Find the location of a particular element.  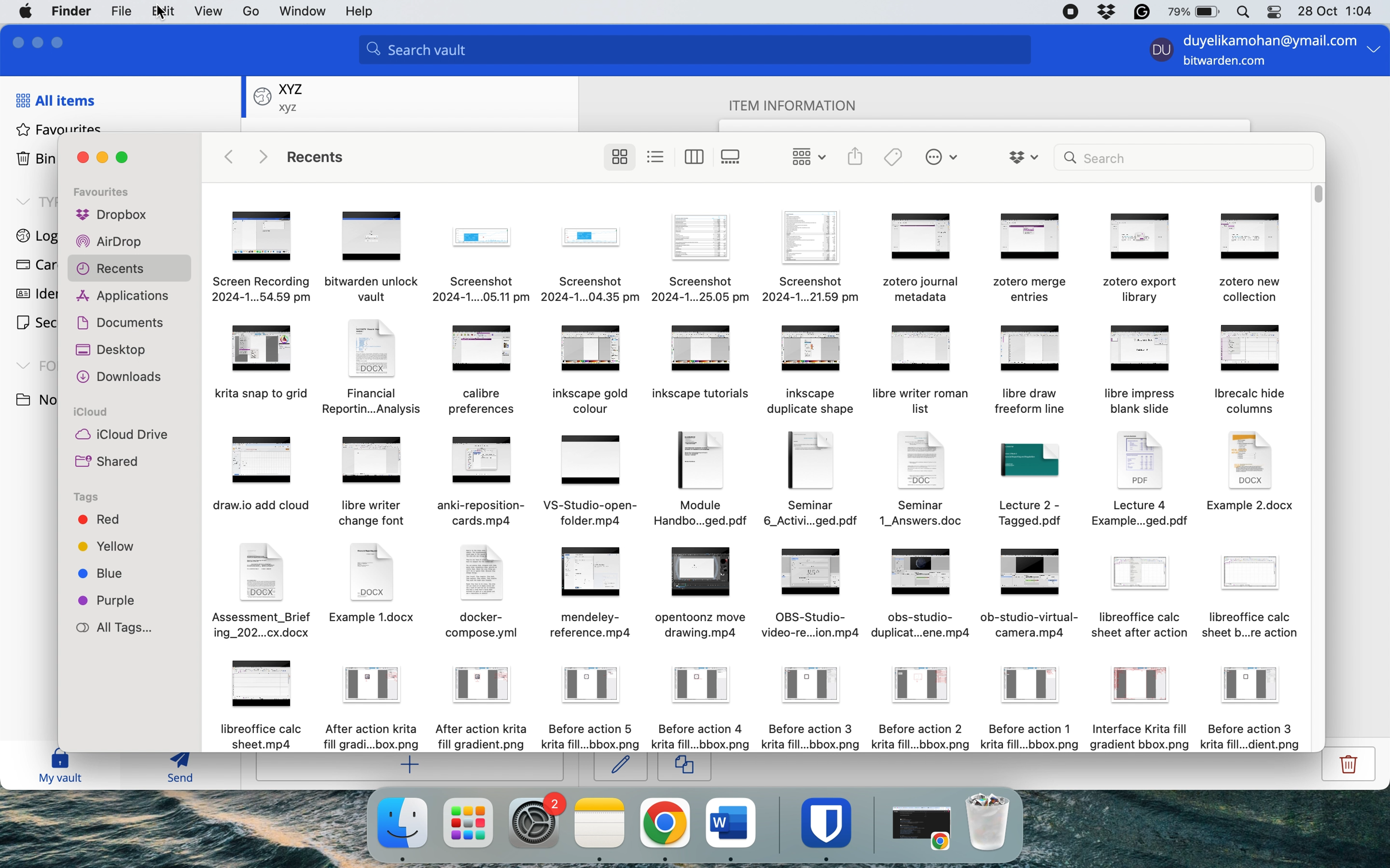

next is located at coordinates (262, 156).